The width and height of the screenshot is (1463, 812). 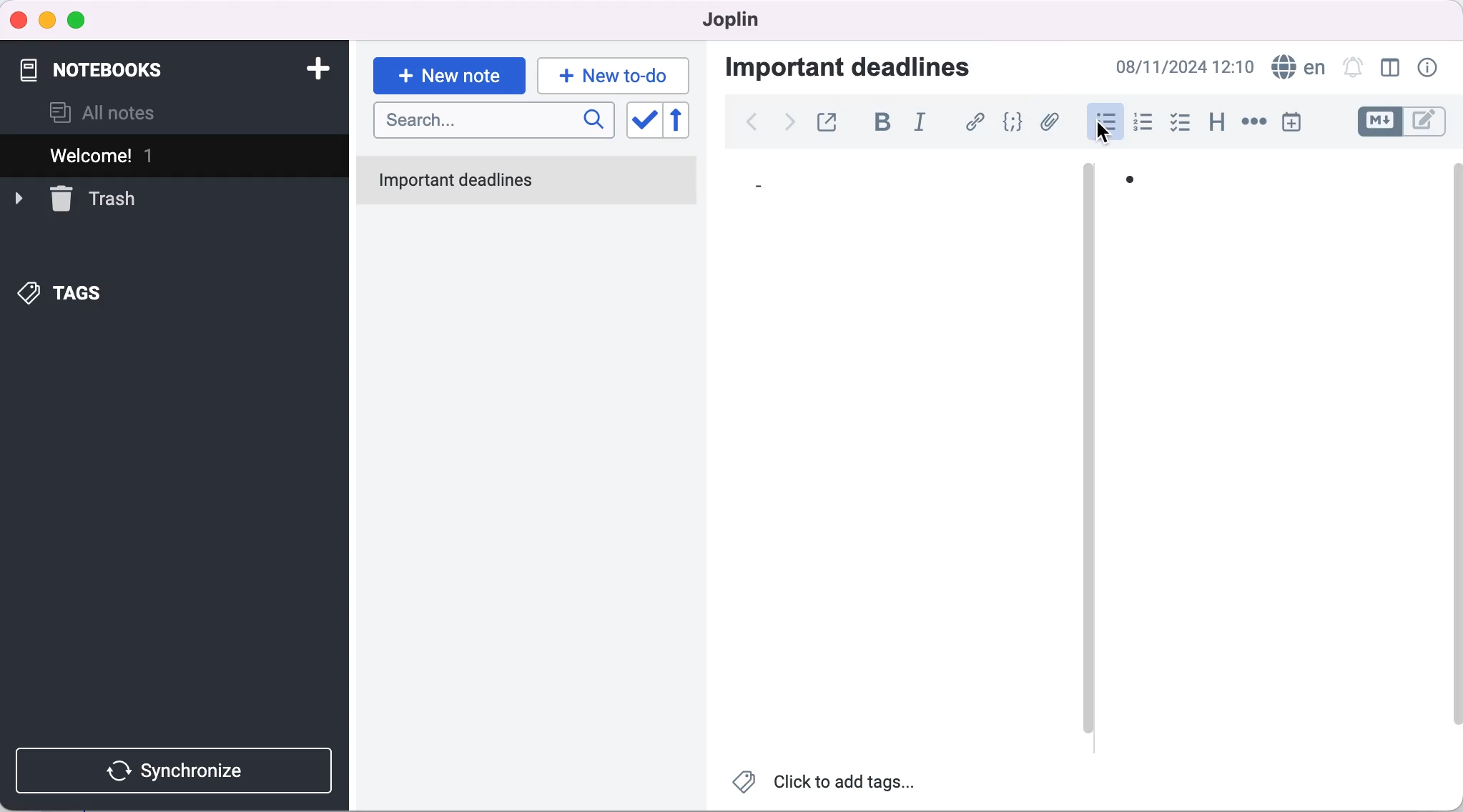 I want to click on tags, so click(x=75, y=291).